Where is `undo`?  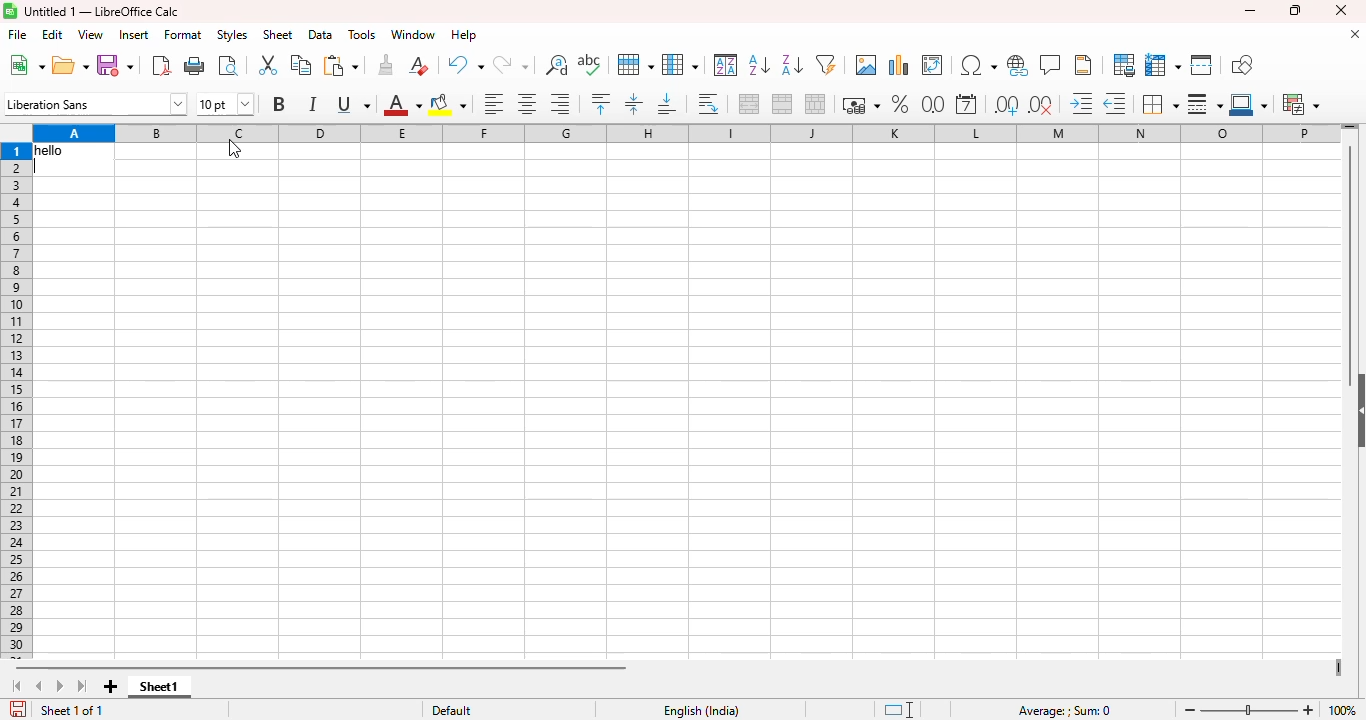 undo is located at coordinates (465, 65).